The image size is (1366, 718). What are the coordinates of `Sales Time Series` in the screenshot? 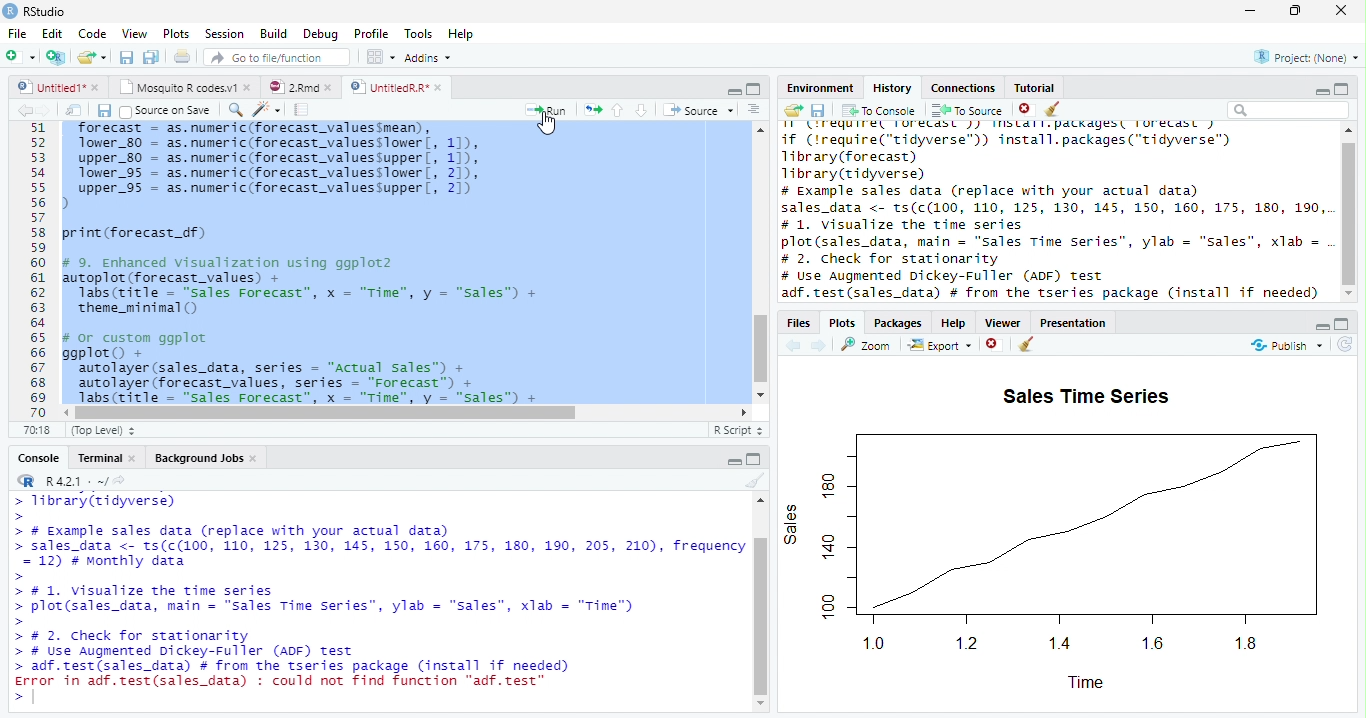 It's located at (1087, 398).